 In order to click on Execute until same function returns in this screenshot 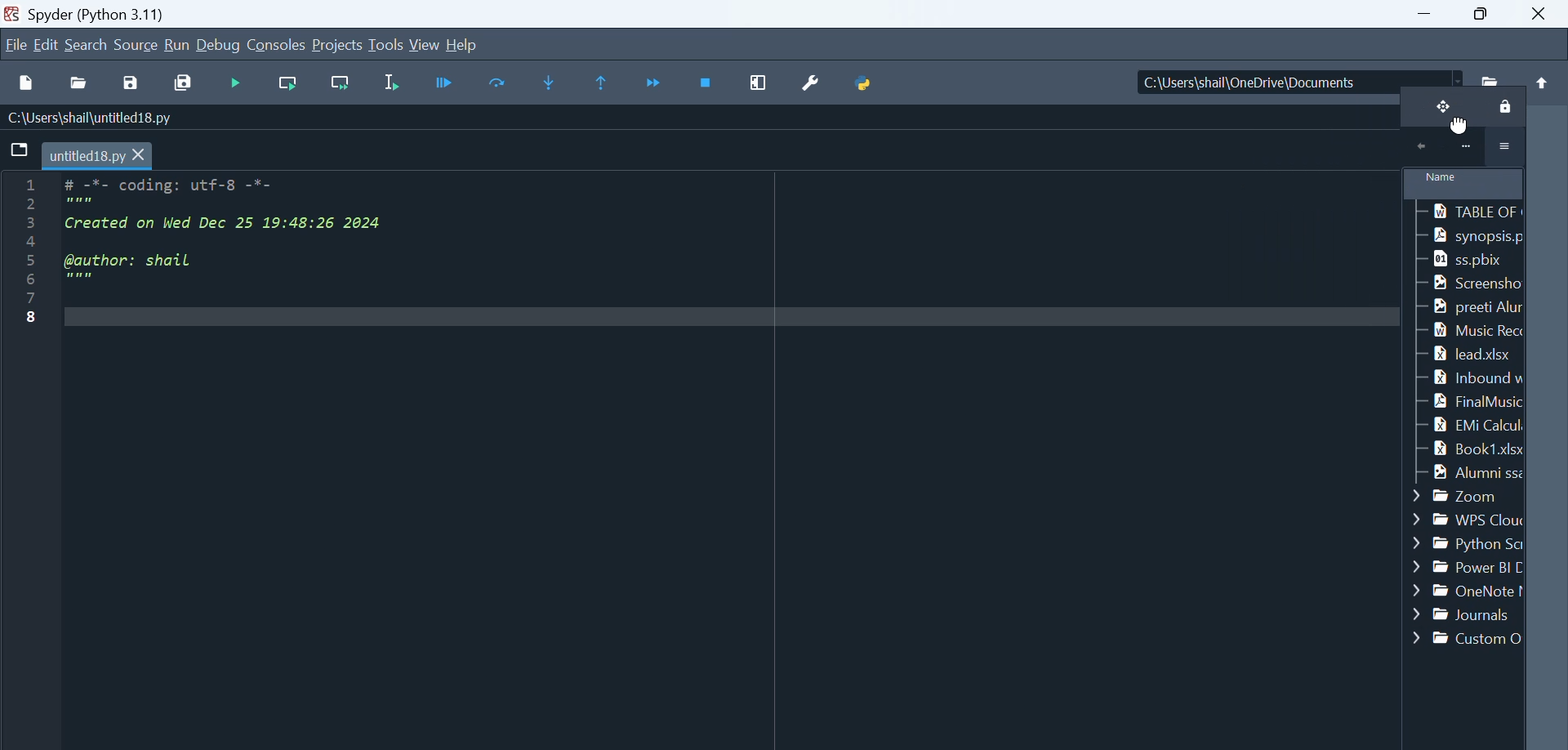, I will do `click(604, 83)`.